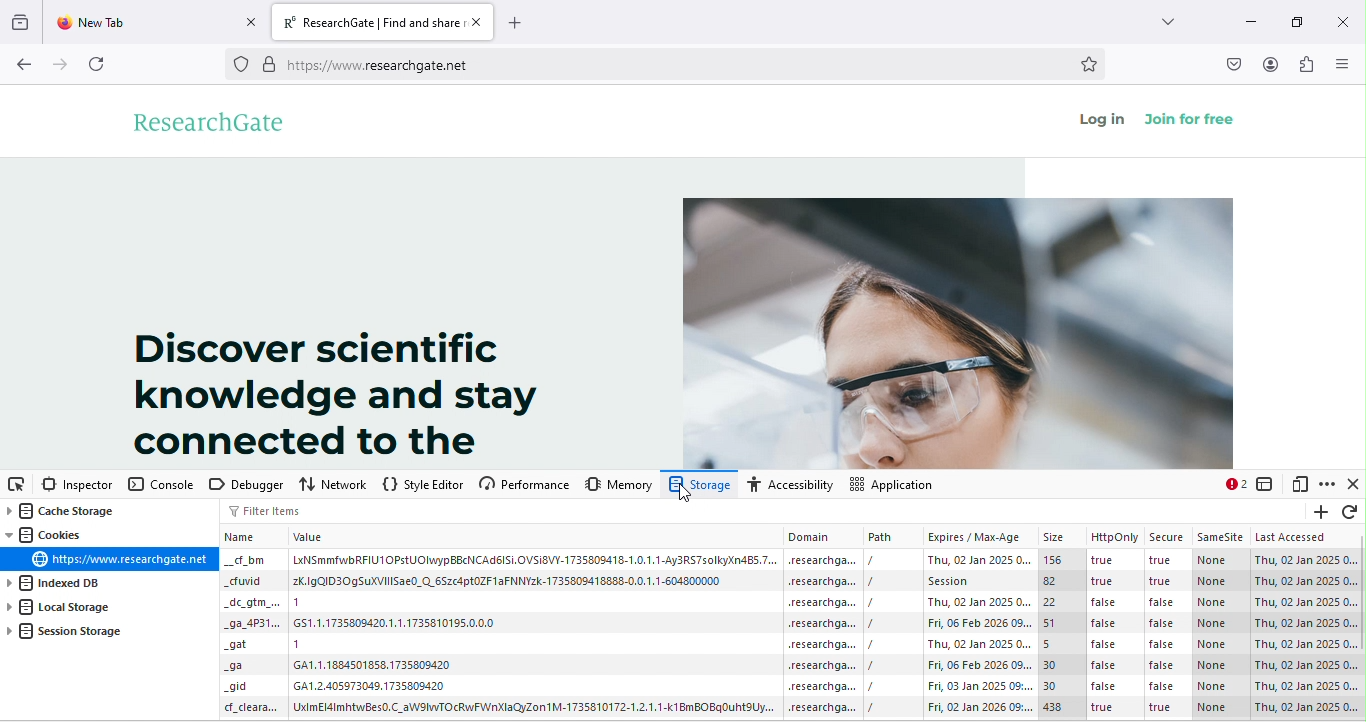 The width and height of the screenshot is (1366, 722). What do you see at coordinates (520, 486) in the screenshot?
I see `performance` at bounding box center [520, 486].